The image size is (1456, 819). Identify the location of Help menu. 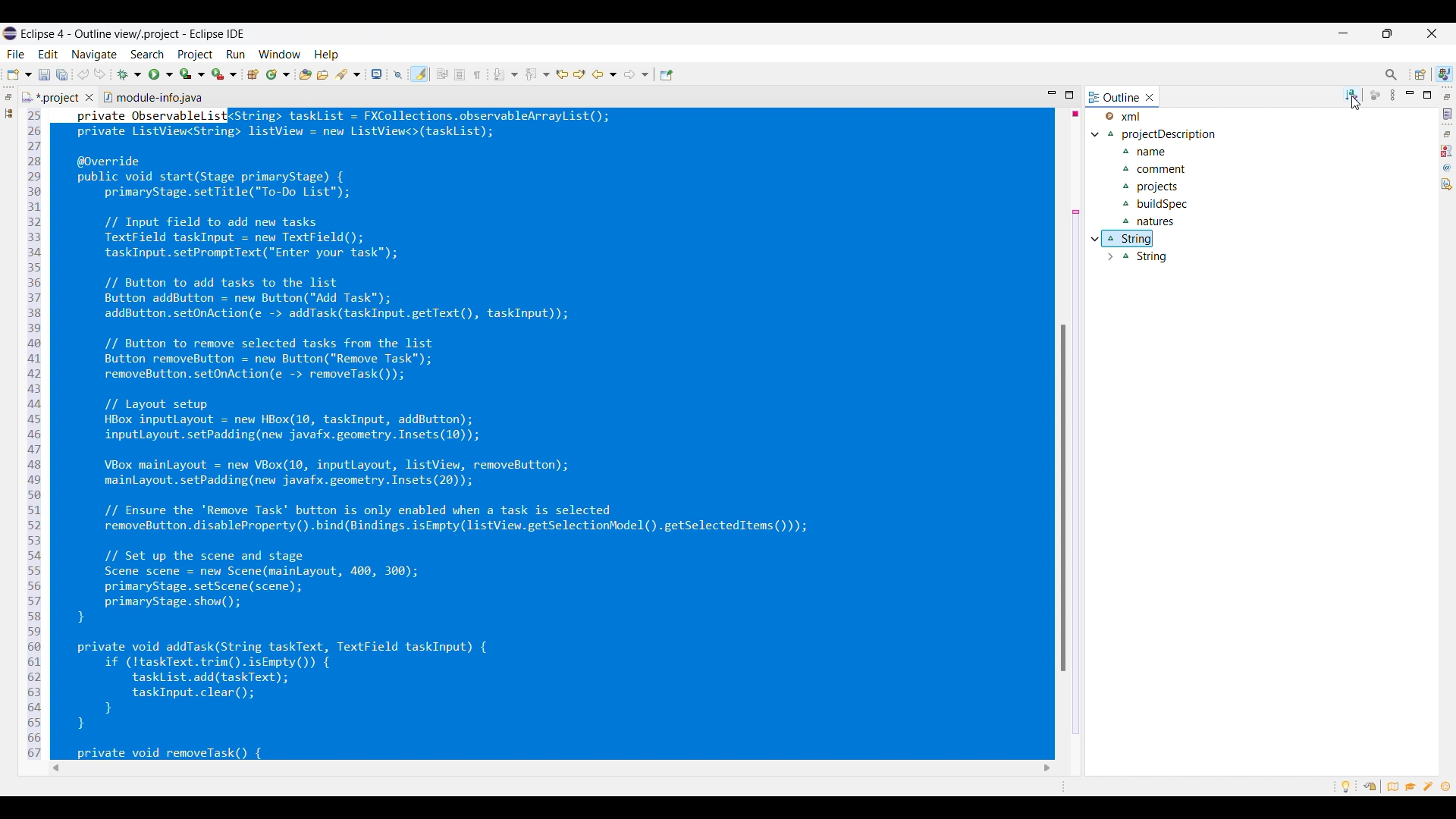
(327, 55).